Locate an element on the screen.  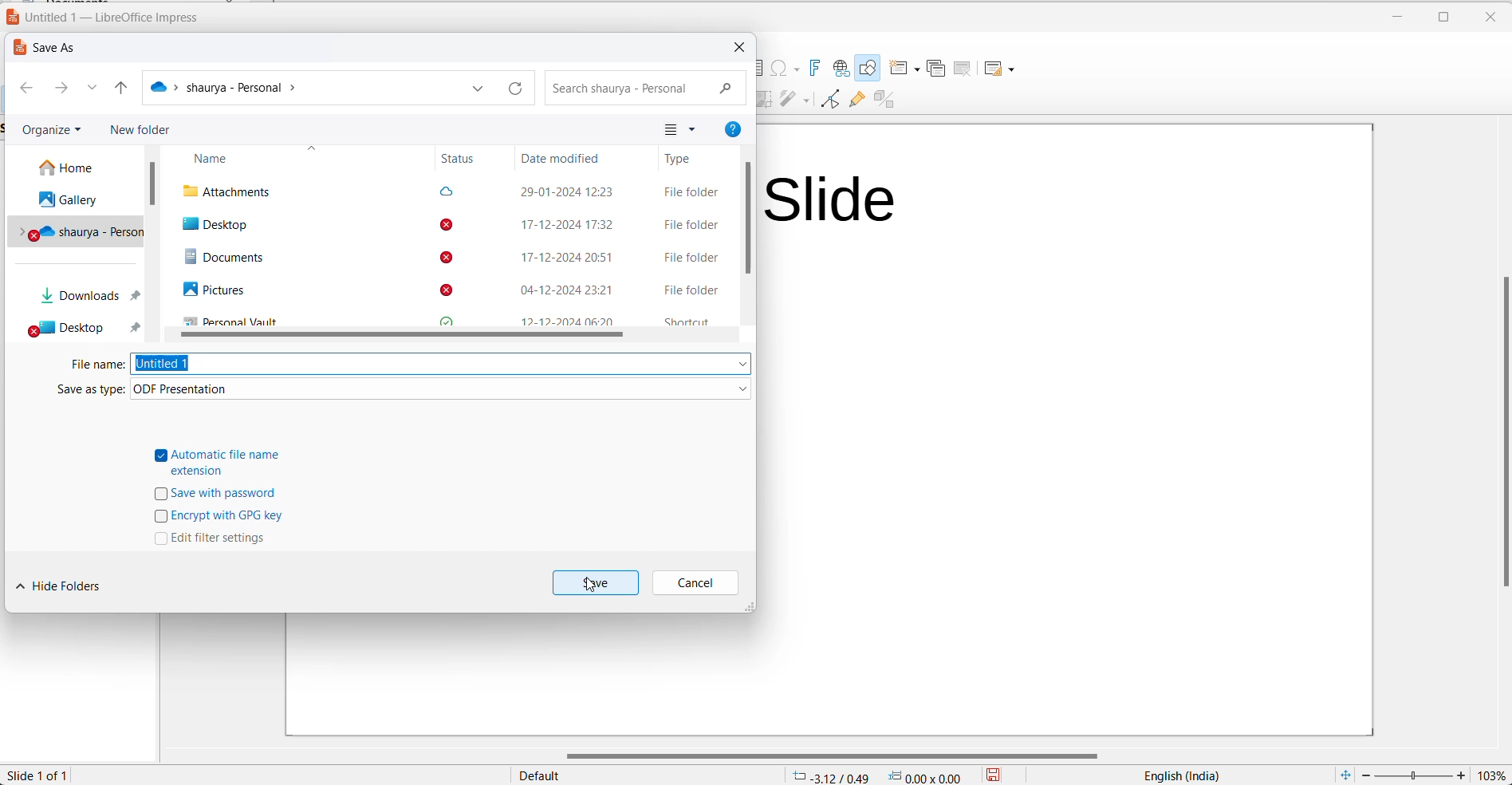
home is located at coordinates (78, 169).